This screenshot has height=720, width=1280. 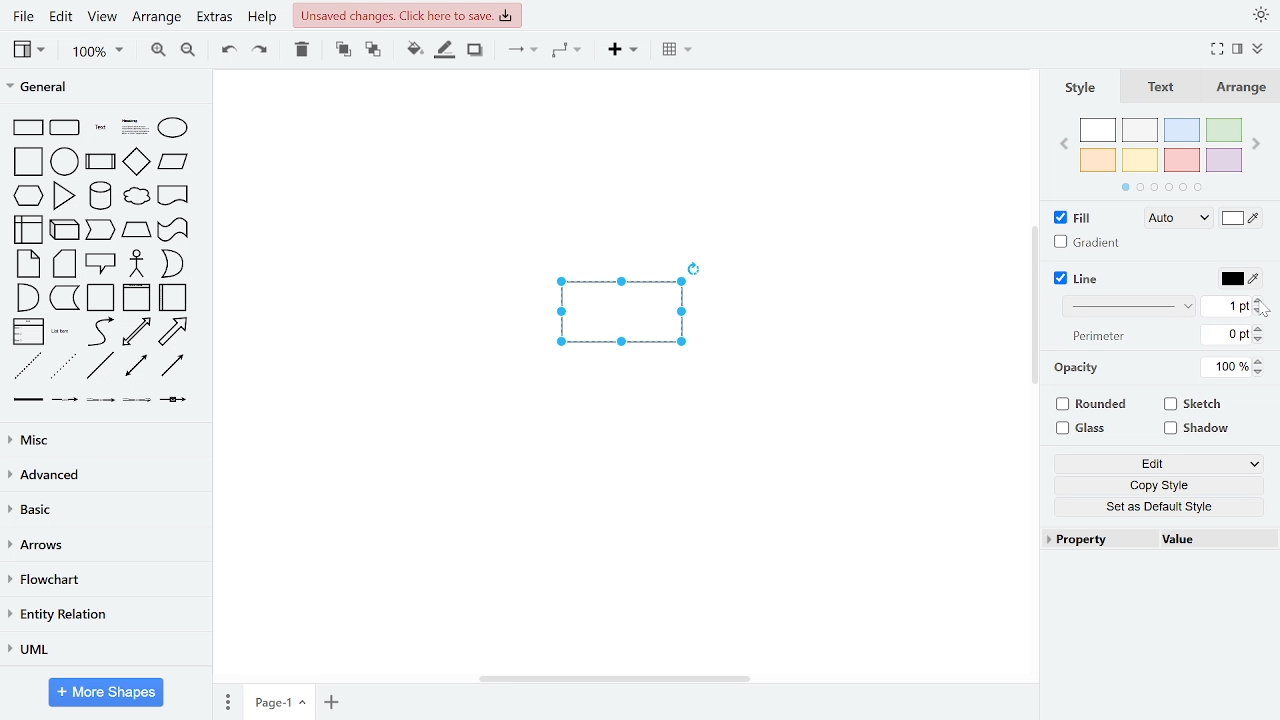 What do you see at coordinates (622, 51) in the screenshot?
I see `insert` at bounding box center [622, 51].